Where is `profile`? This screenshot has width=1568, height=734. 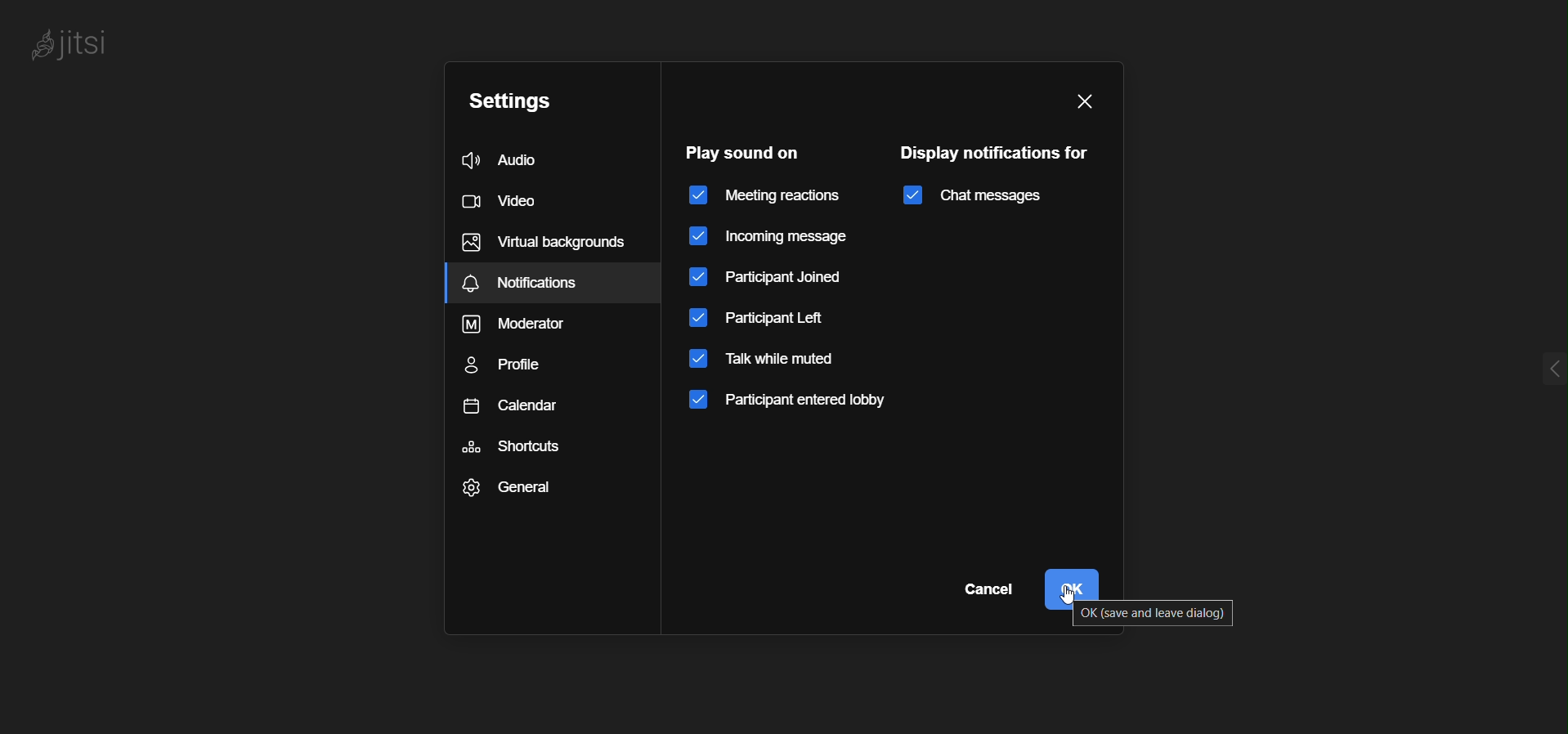
profile is located at coordinates (513, 366).